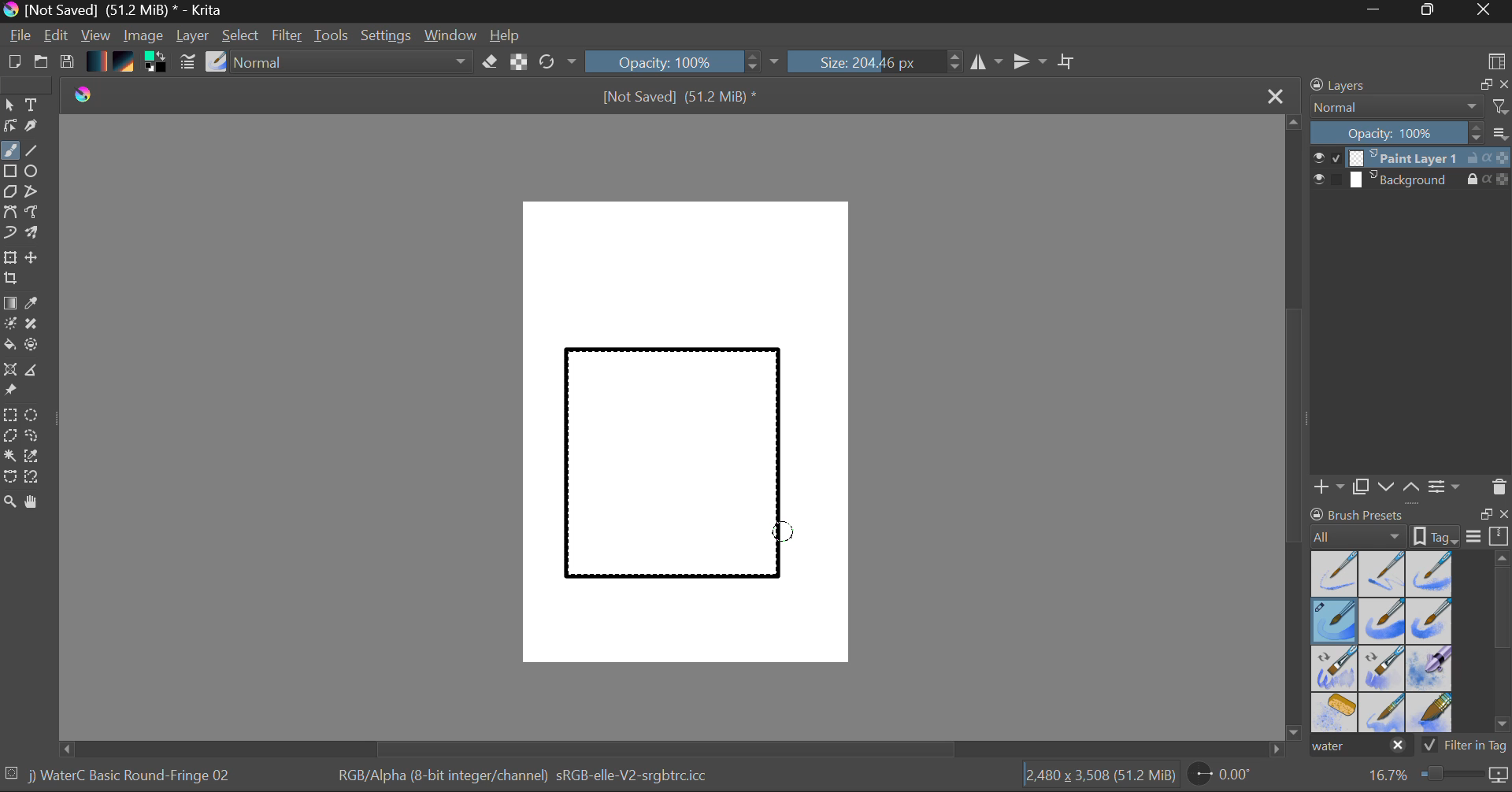 This screenshot has height=792, width=1512. What do you see at coordinates (145, 37) in the screenshot?
I see `Image` at bounding box center [145, 37].